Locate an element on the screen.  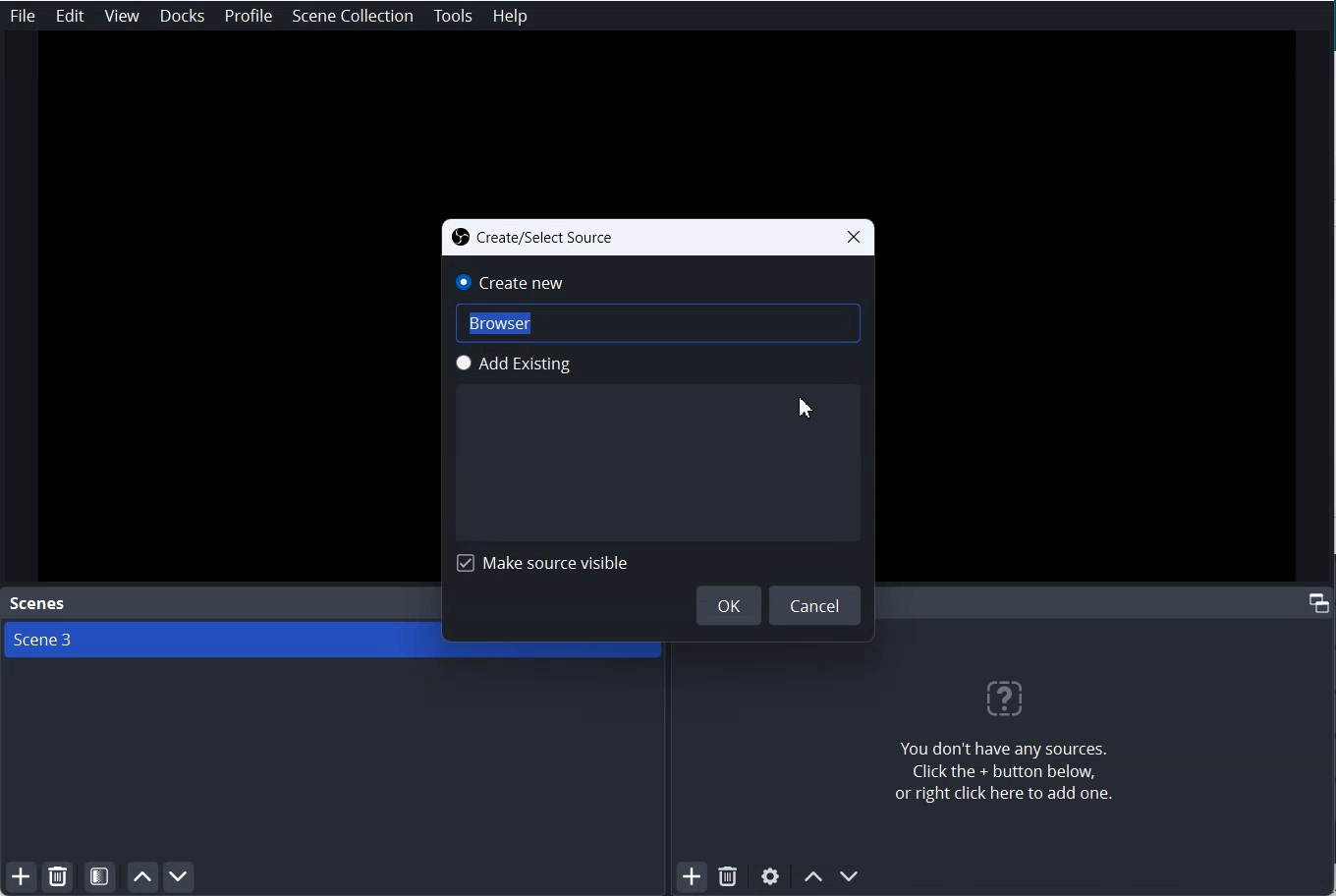
Cancel is located at coordinates (816, 605).